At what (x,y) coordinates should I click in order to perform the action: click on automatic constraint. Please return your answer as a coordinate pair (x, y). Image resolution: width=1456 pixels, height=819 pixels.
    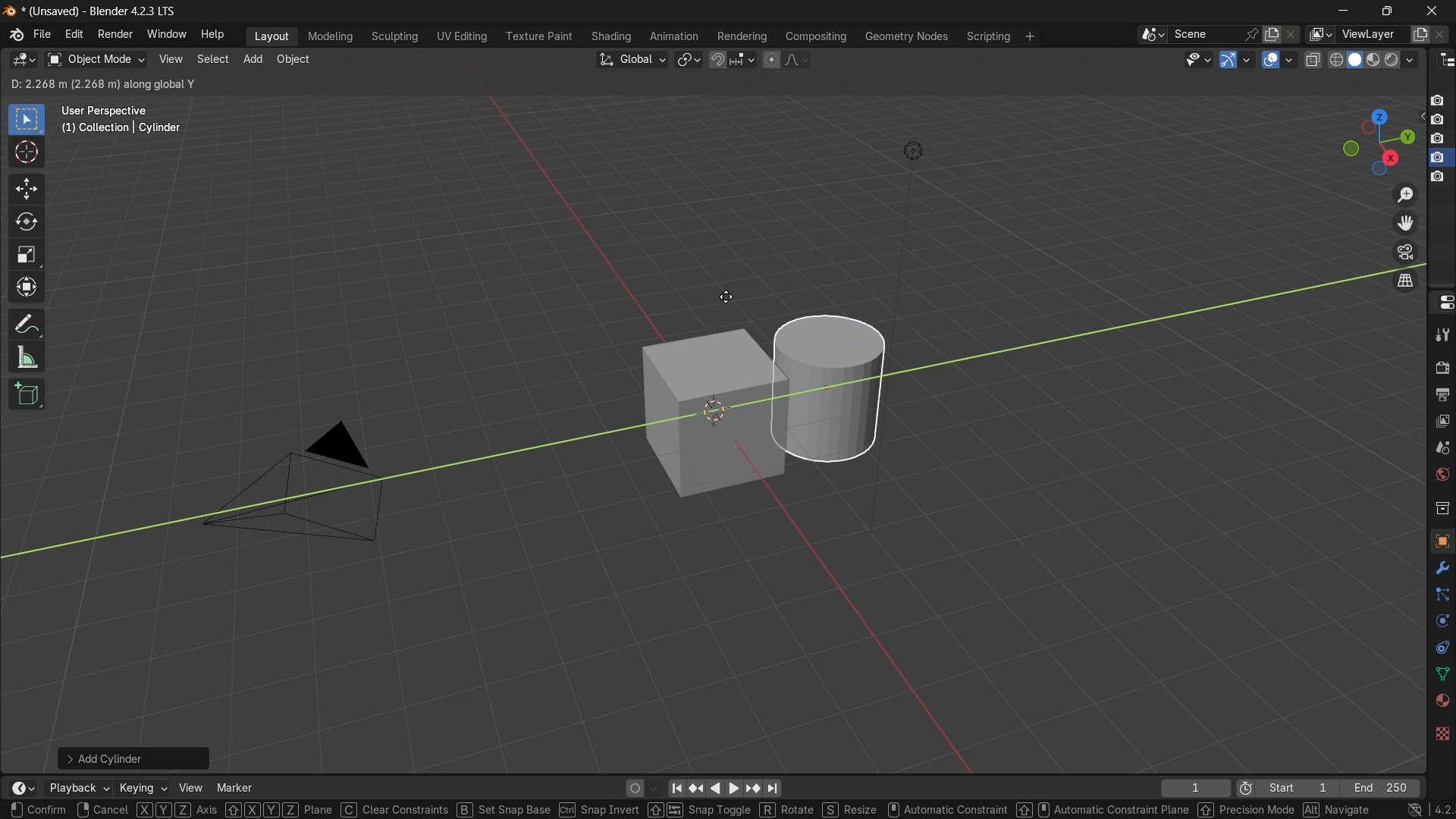
    Looking at the image, I should click on (944, 808).